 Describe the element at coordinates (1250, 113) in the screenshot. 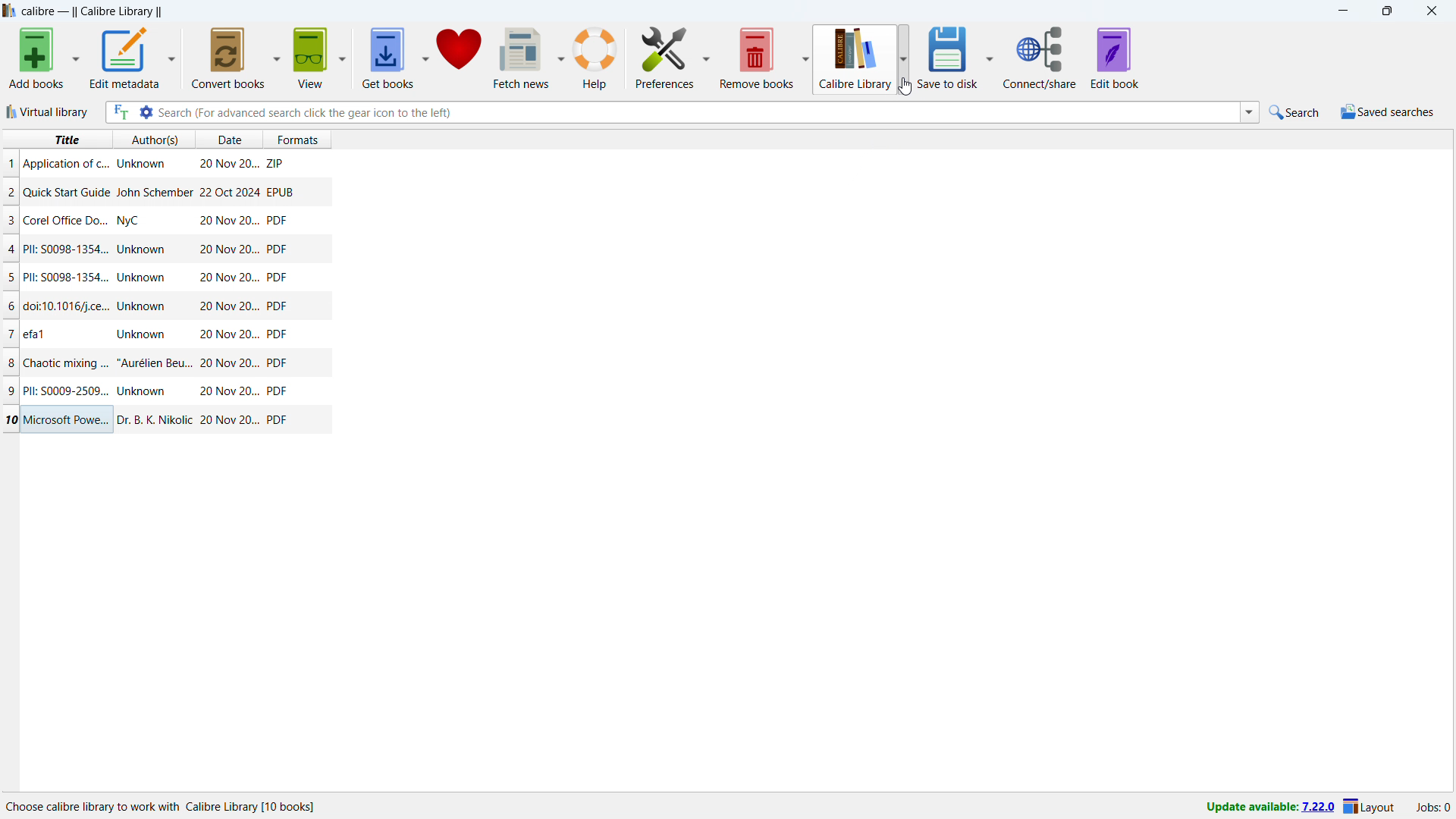

I see `search history` at that location.